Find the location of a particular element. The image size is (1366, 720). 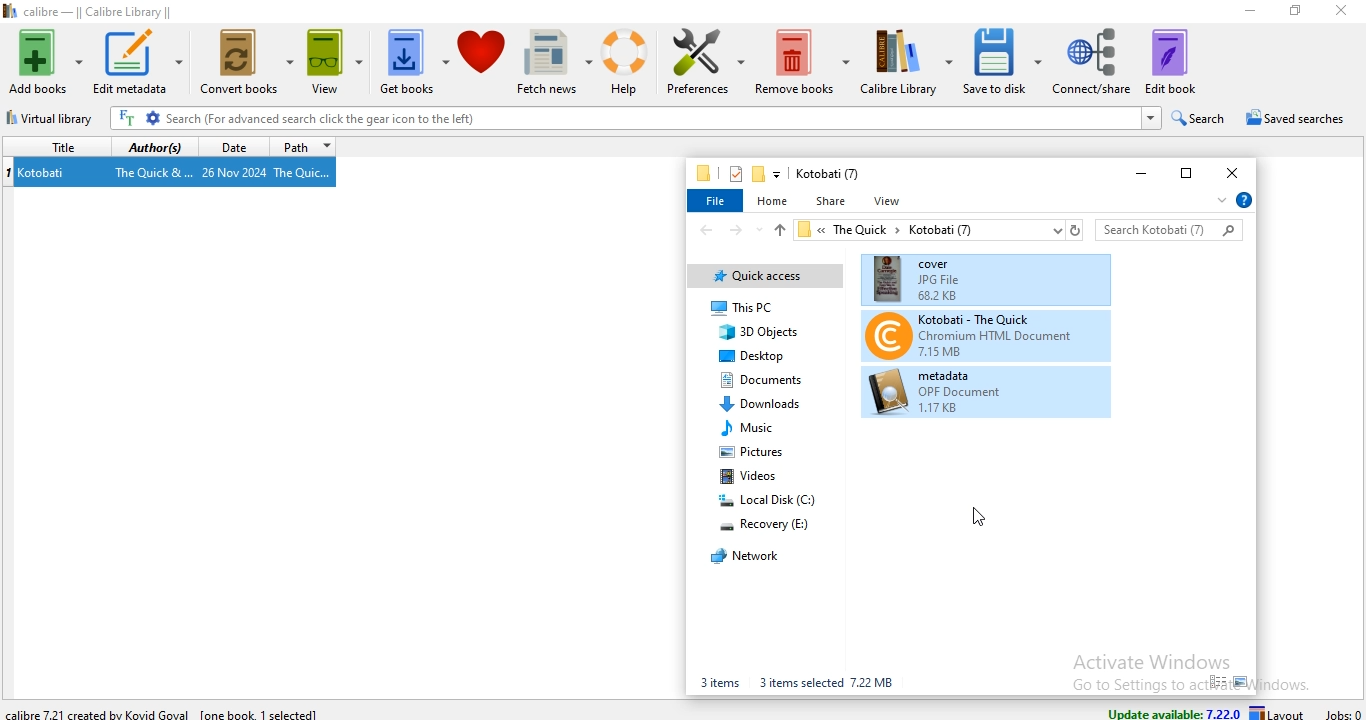

edit metadata is located at coordinates (138, 61).